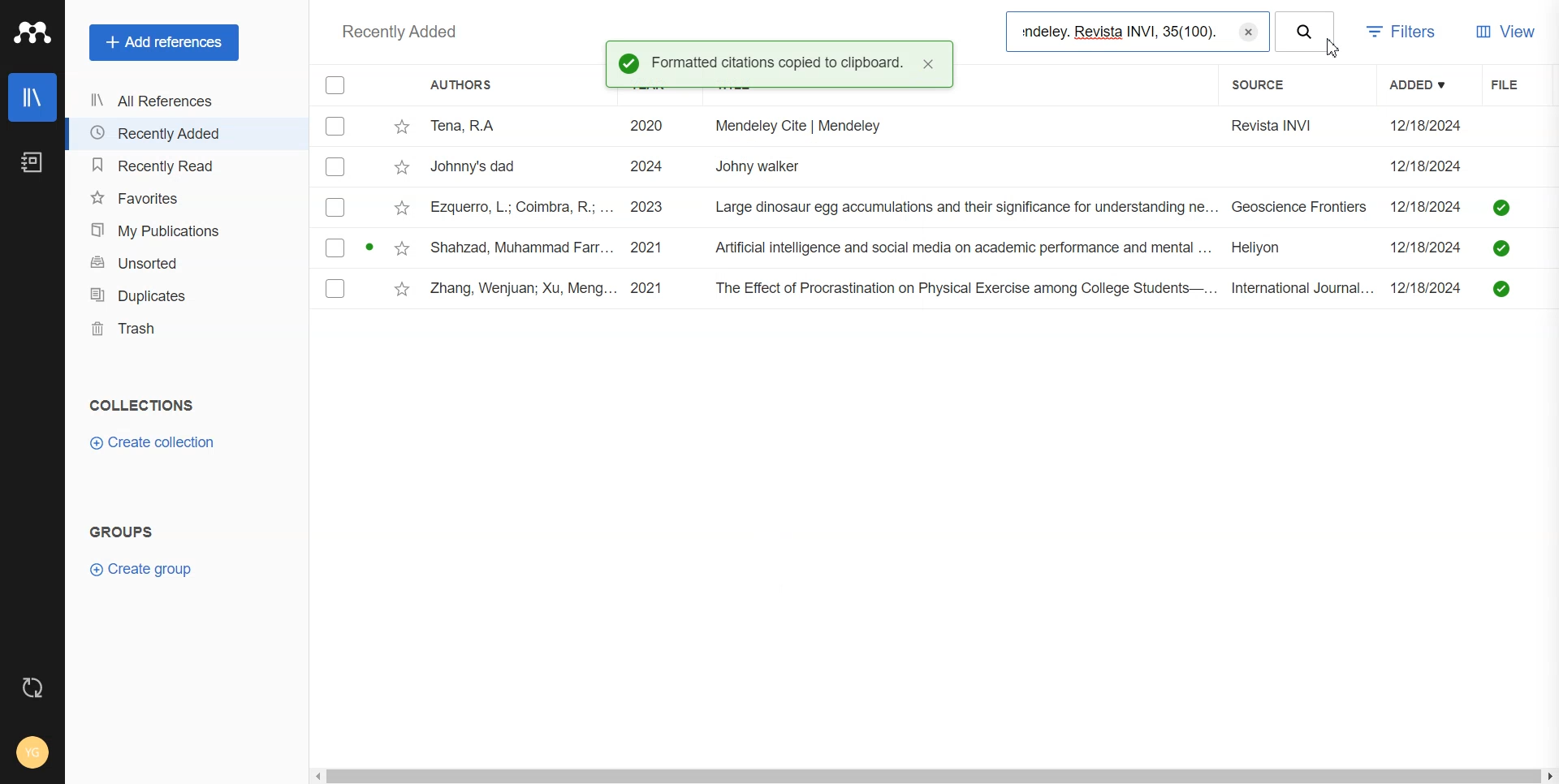 This screenshot has width=1559, height=784. What do you see at coordinates (188, 263) in the screenshot?
I see `Unsorted` at bounding box center [188, 263].